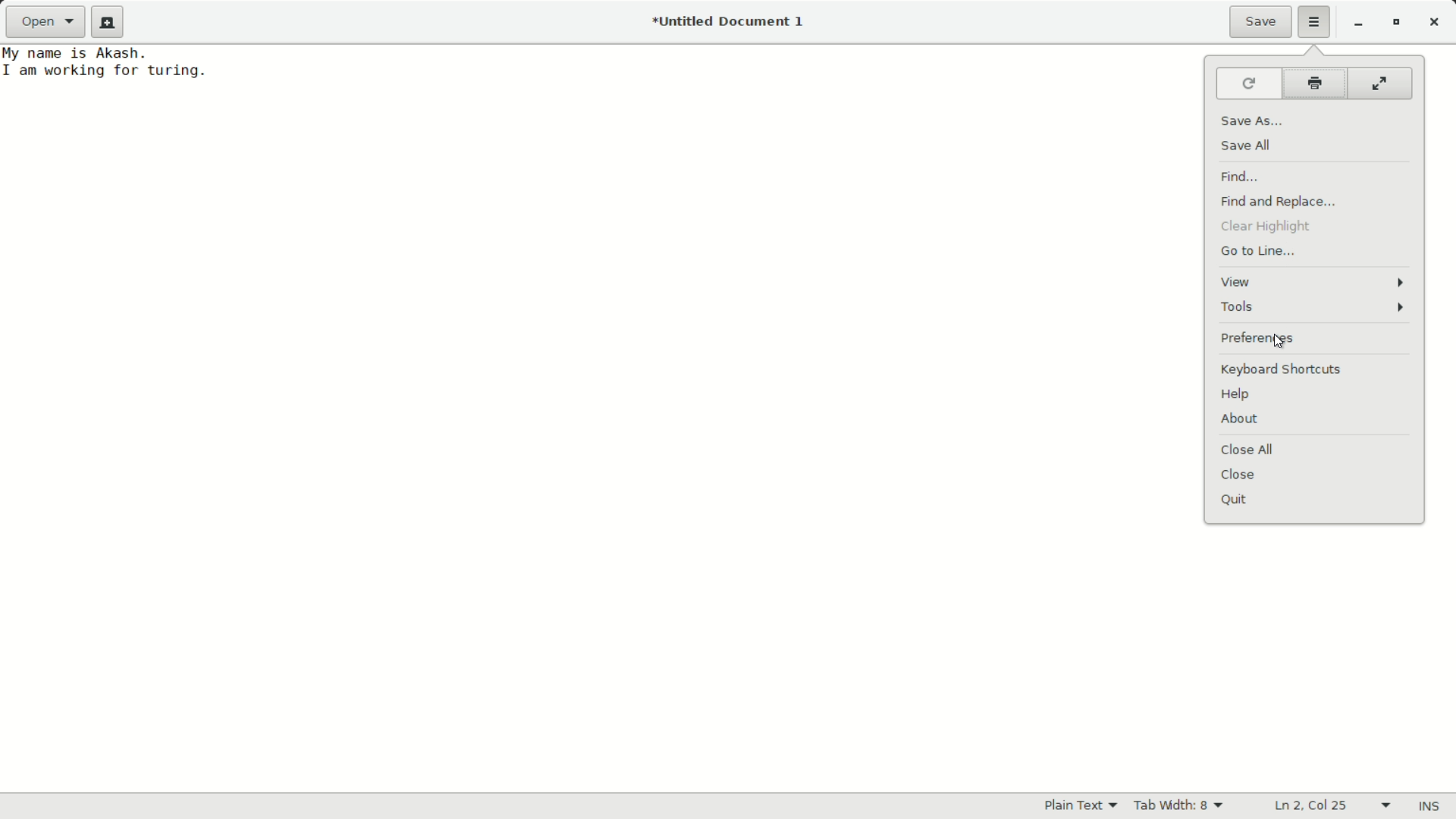 Image resolution: width=1456 pixels, height=819 pixels. What do you see at coordinates (1437, 24) in the screenshot?
I see `close app` at bounding box center [1437, 24].